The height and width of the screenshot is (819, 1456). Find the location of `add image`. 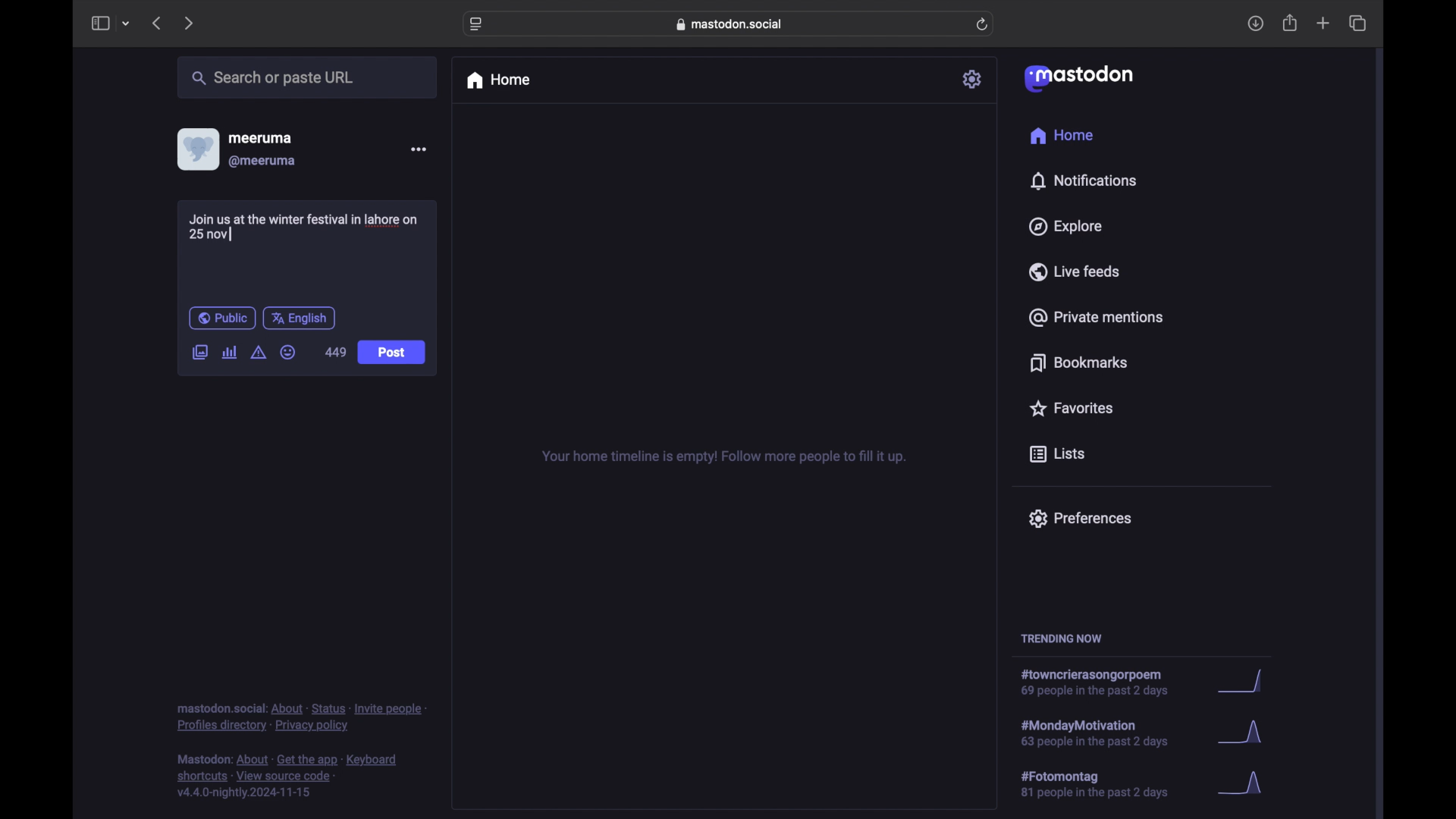

add image is located at coordinates (199, 353).